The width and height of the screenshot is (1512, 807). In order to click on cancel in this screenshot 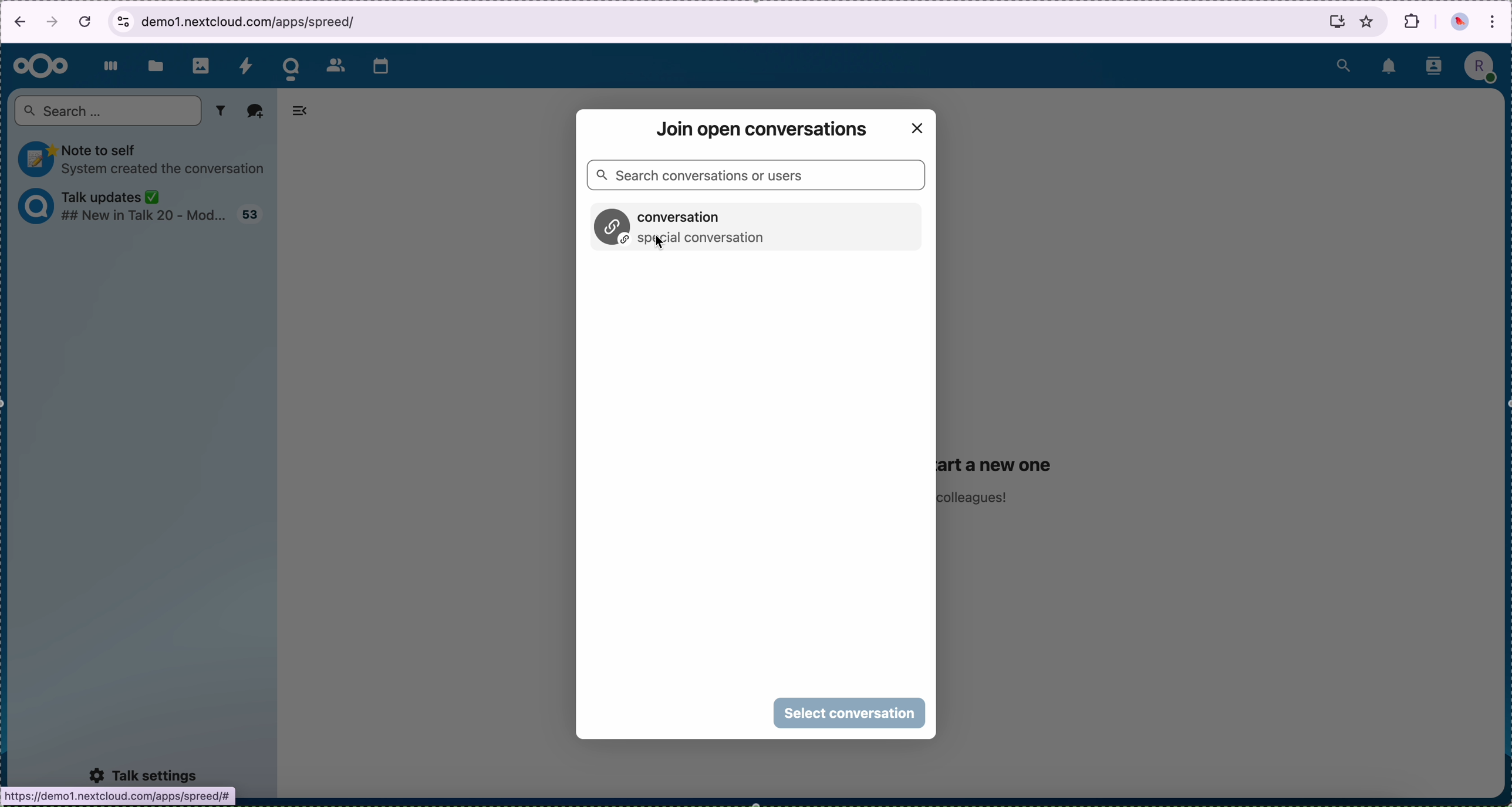, I will do `click(86, 16)`.